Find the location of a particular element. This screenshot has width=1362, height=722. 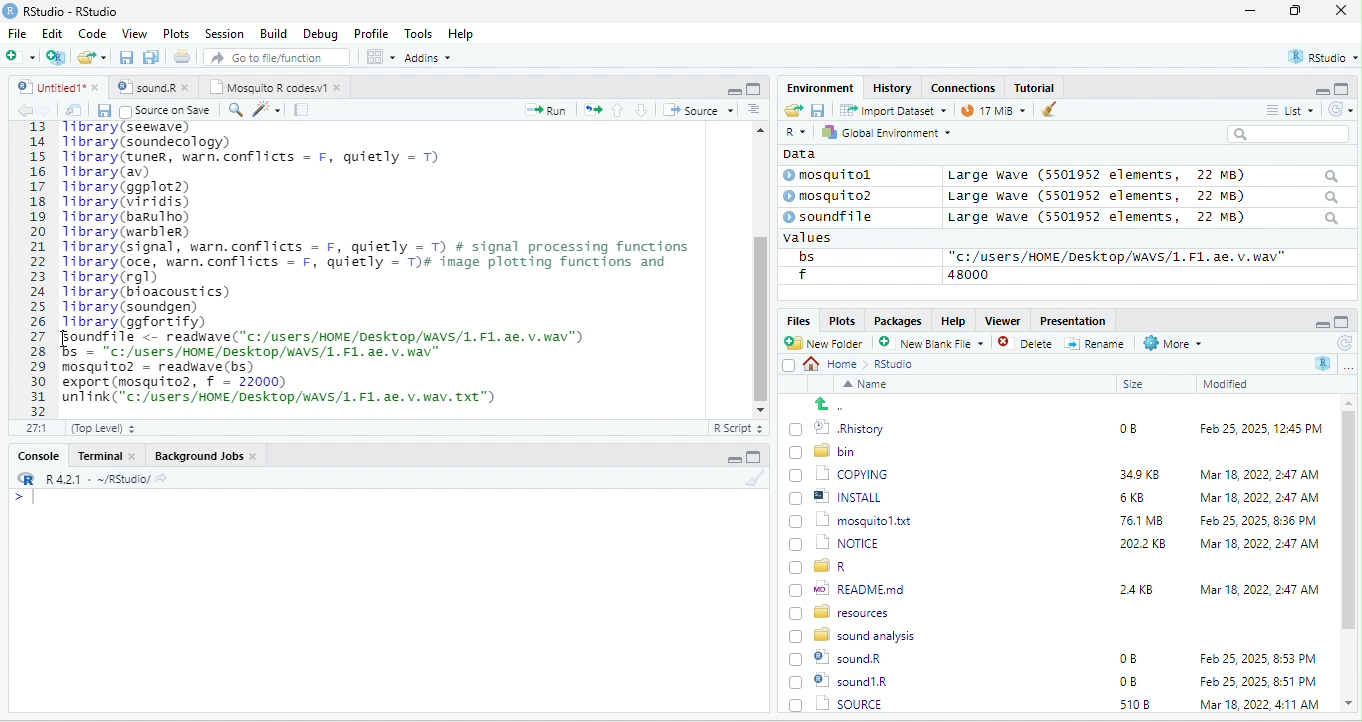

save is located at coordinates (817, 109).